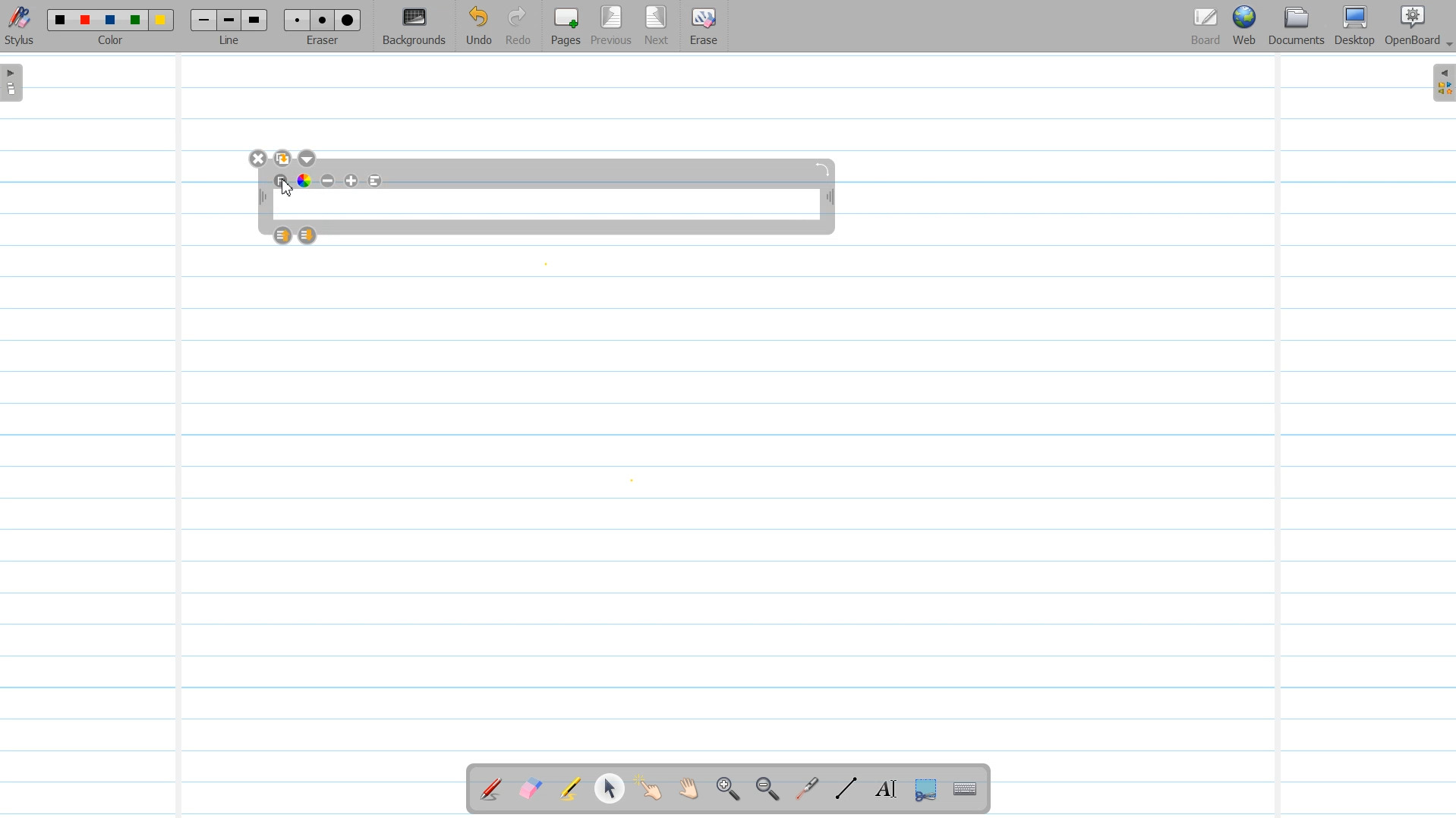  I want to click on Line, so click(231, 26).